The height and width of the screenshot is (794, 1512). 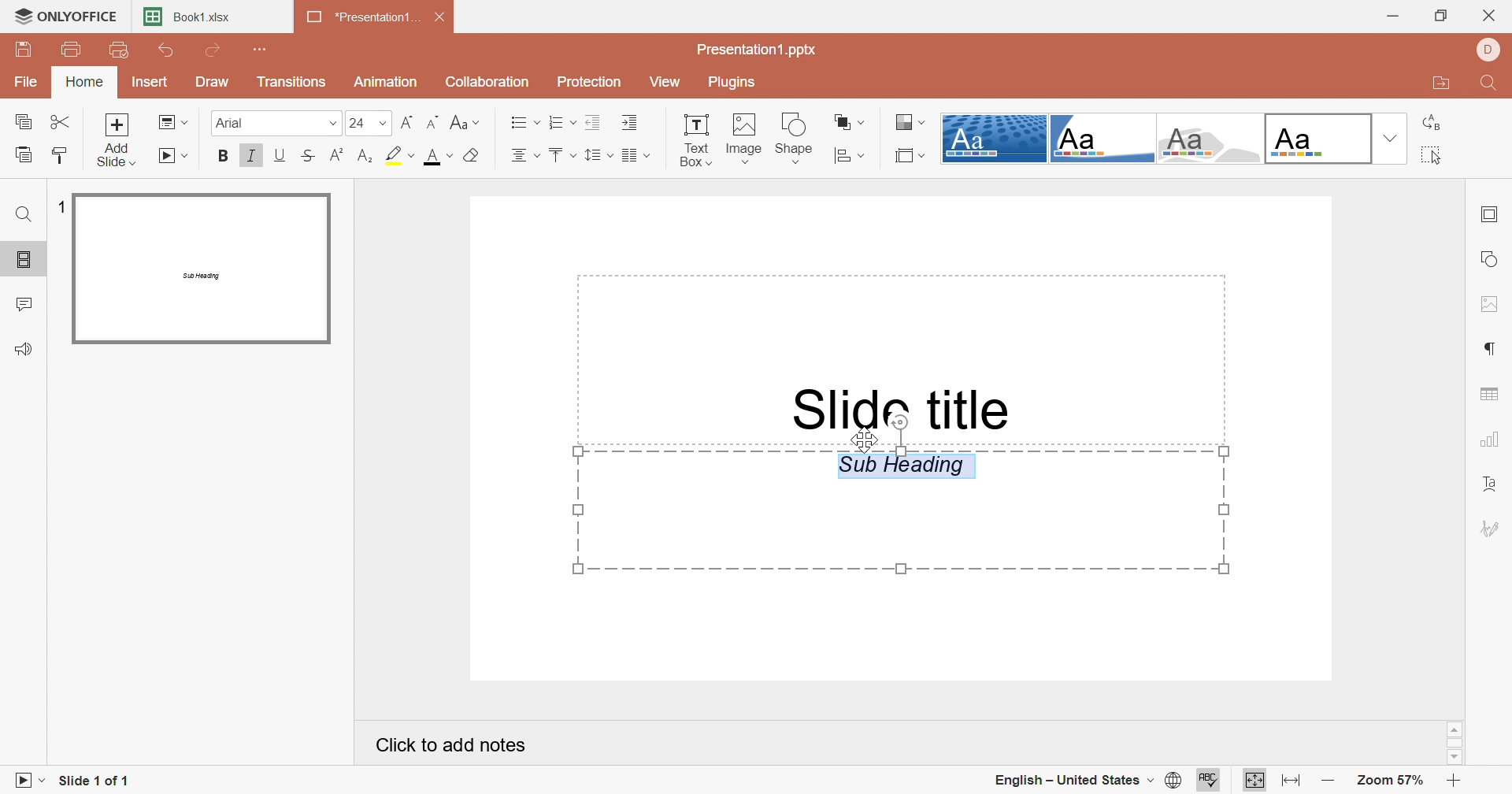 What do you see at coordinates (740, 83) in the screenshot?
I see `Plugins` at bounding box center [740, 83].